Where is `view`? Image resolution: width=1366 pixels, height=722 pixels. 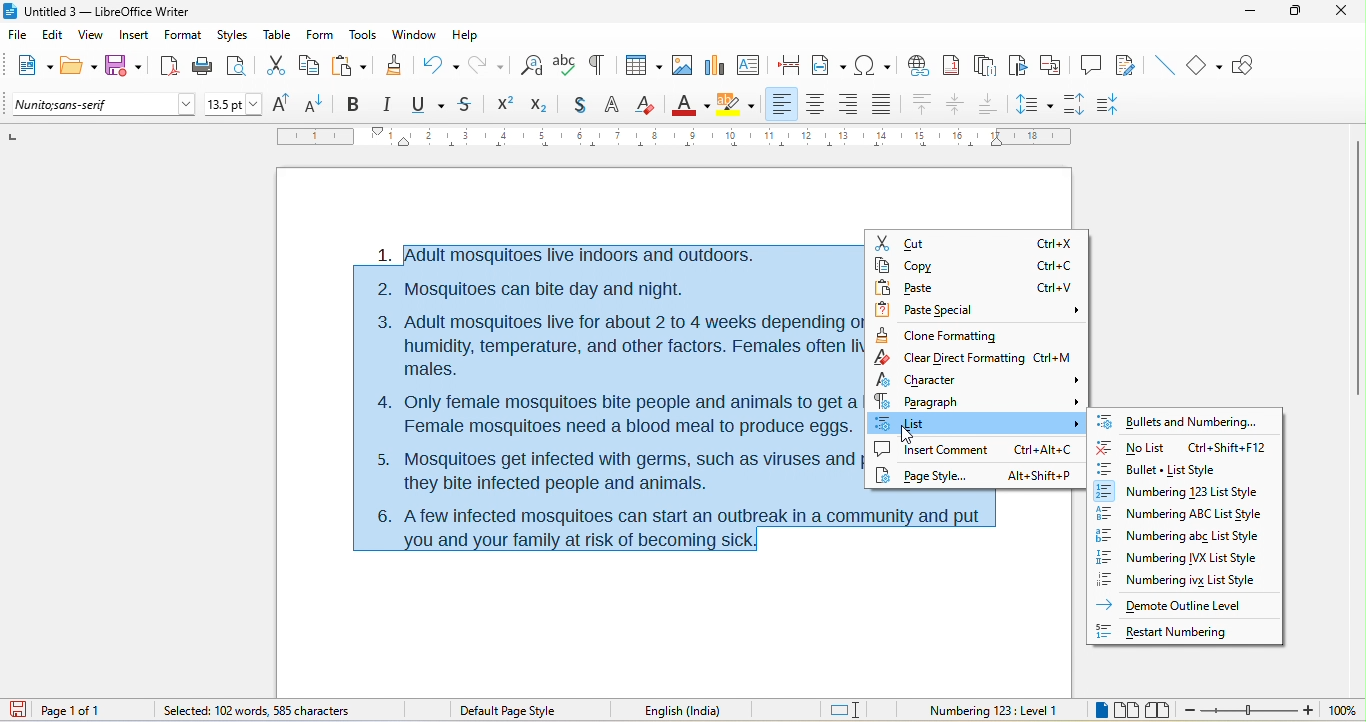
view is located at coordinates (93, 36).